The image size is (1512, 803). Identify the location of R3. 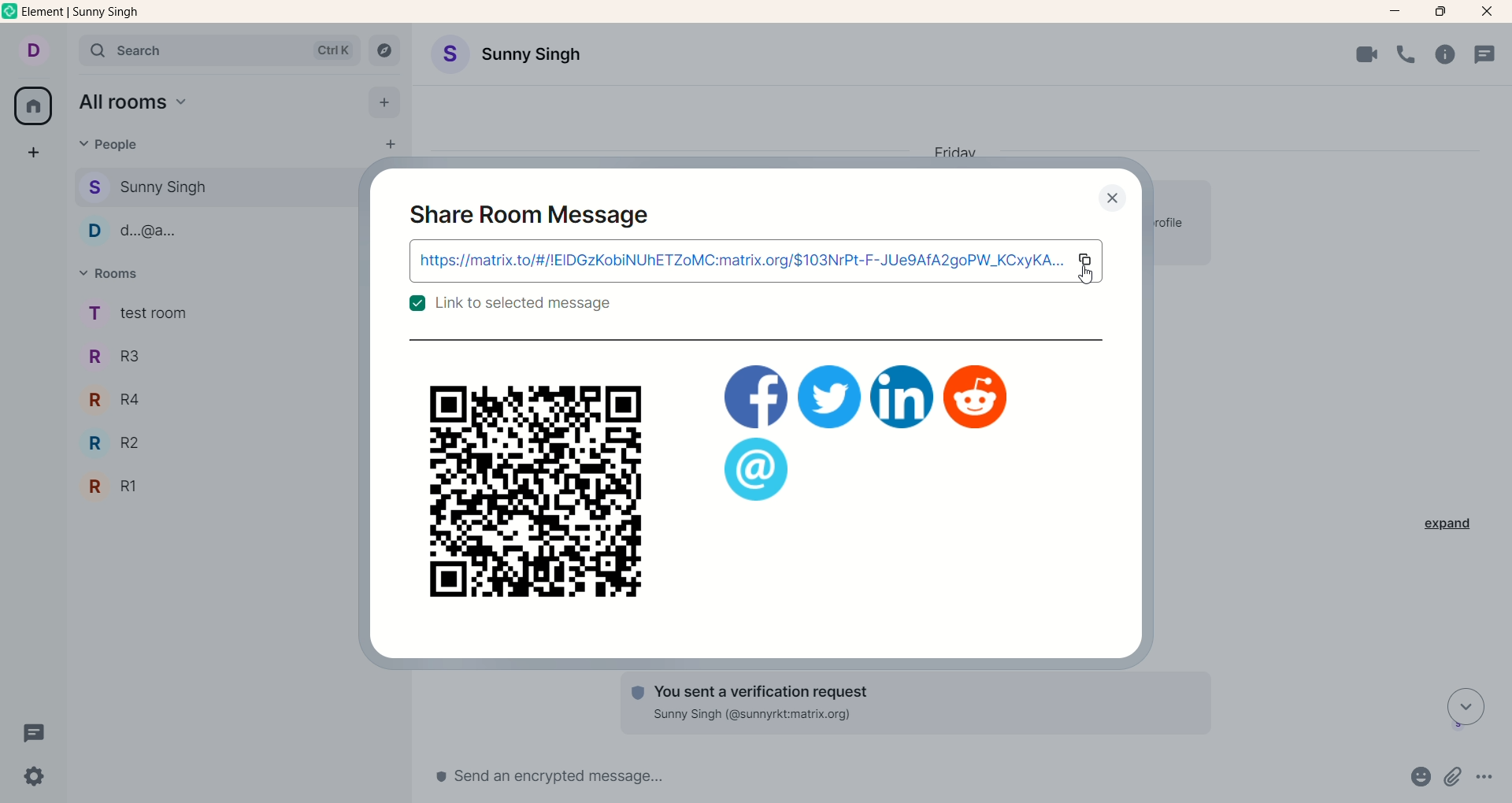
(120, 359).